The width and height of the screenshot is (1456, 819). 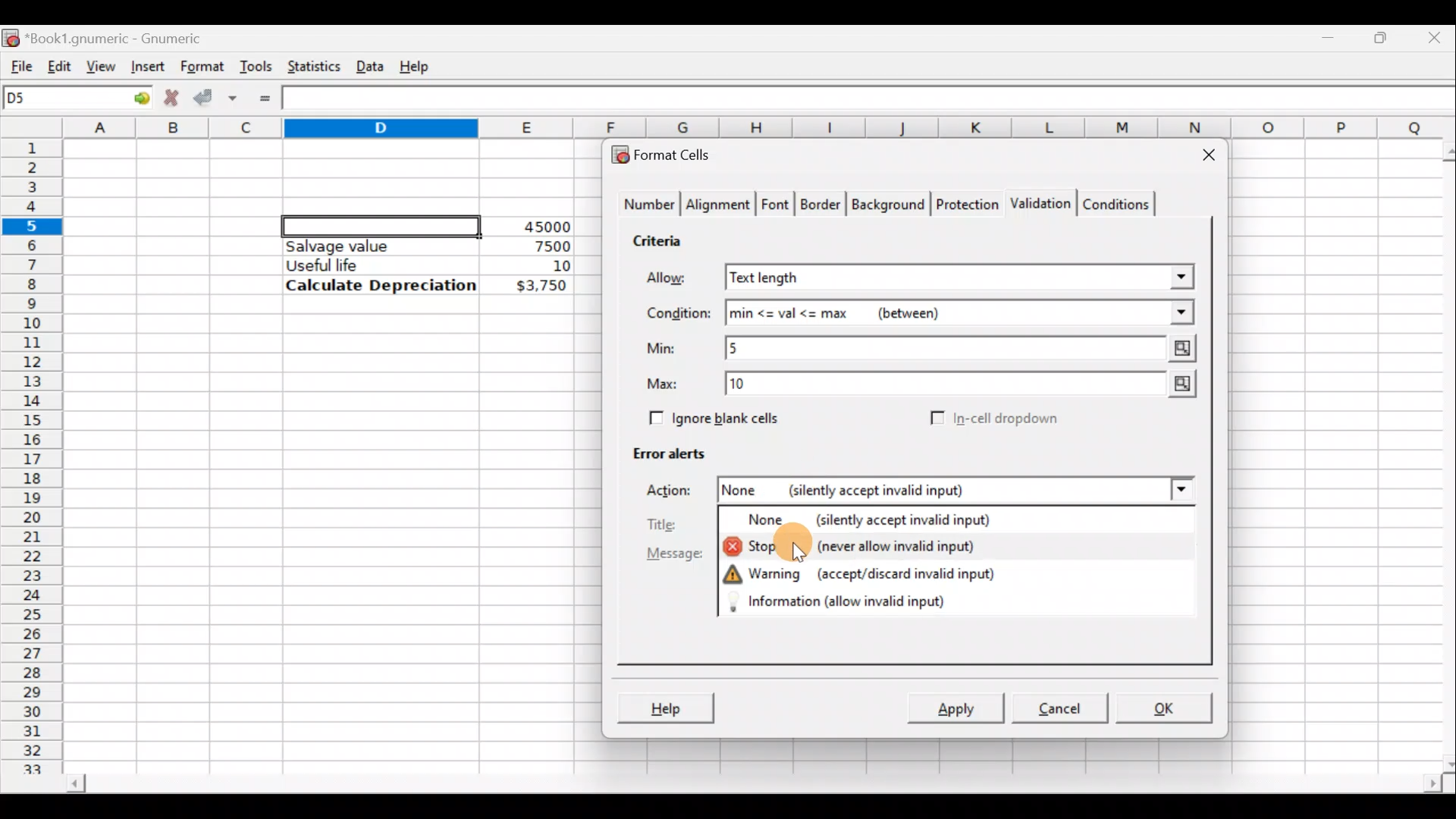 What do you see at coordinates (752, 786) in the screenshot?
I see `Scroll bar` at bounding box center [752, 786].